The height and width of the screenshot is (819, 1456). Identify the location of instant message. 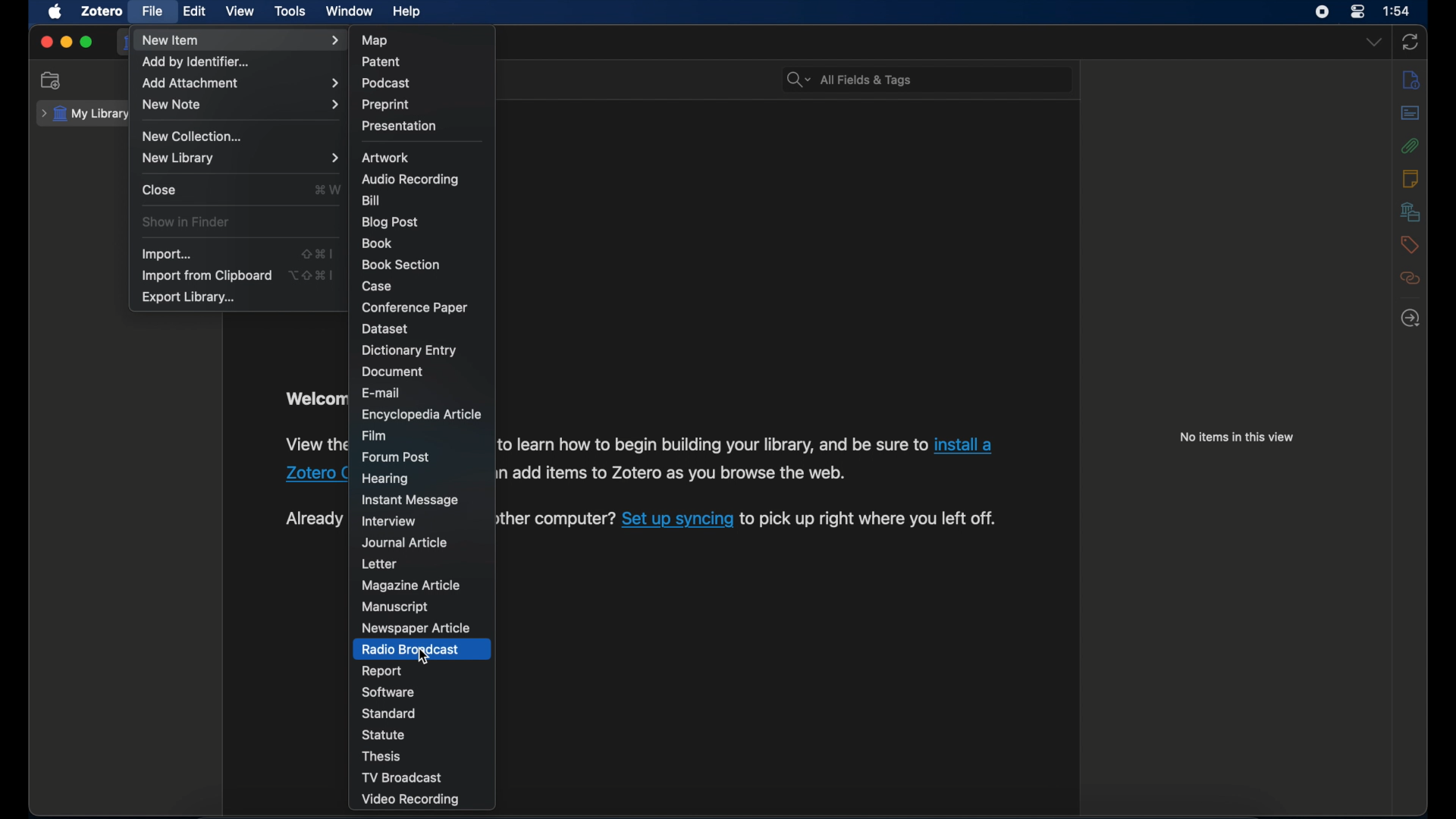
(410, 500).